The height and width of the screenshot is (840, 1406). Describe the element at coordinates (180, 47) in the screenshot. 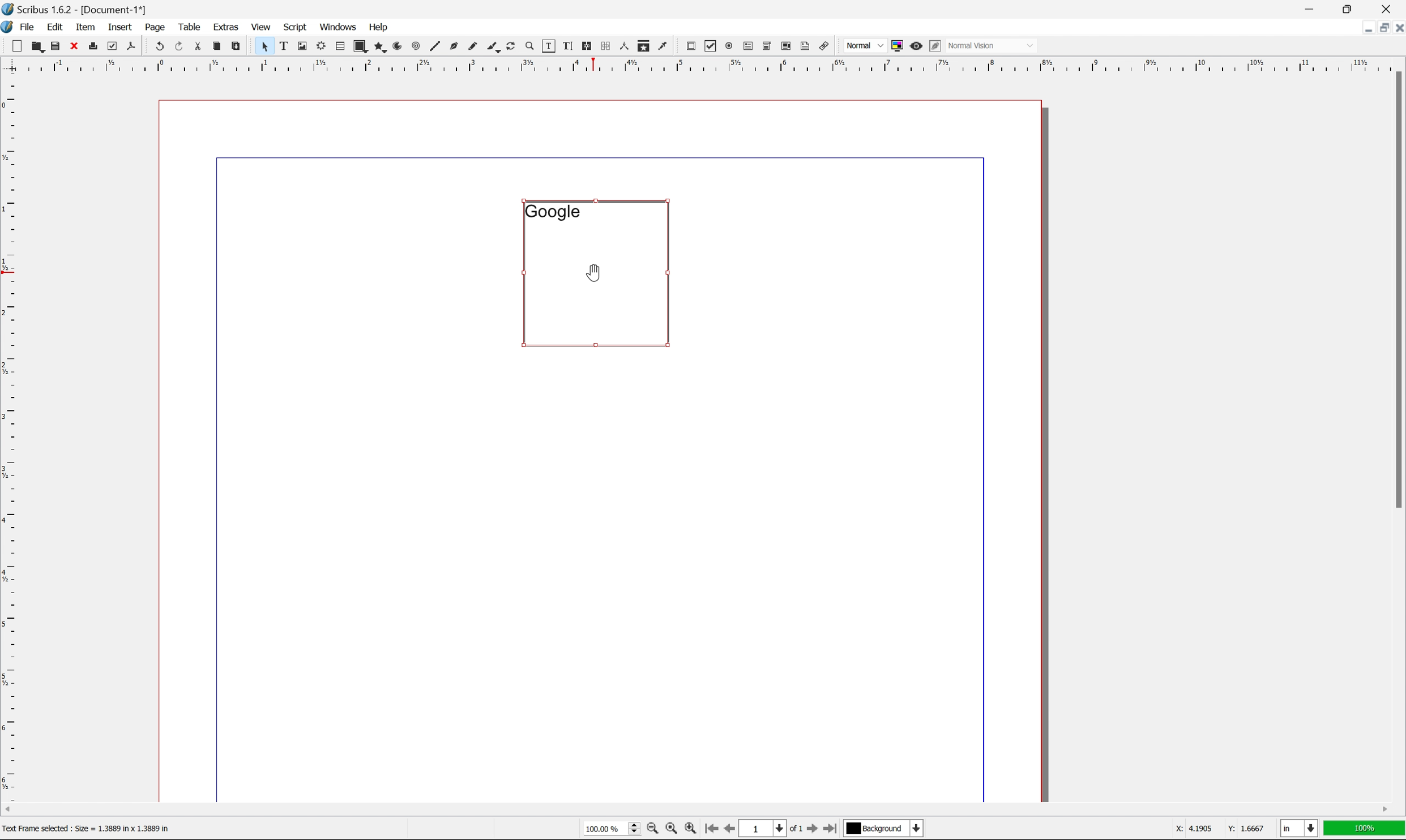

I see `redo` at that location.